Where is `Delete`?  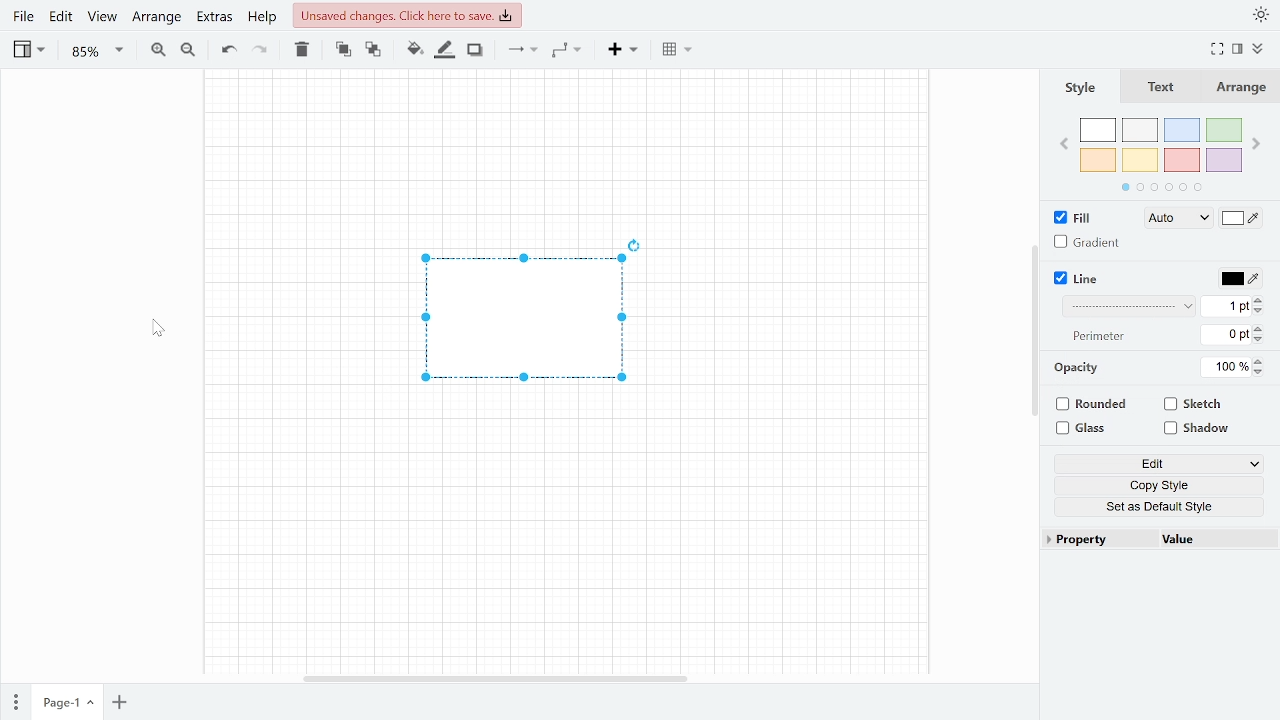
Delete is located at coordinates (303, 50).